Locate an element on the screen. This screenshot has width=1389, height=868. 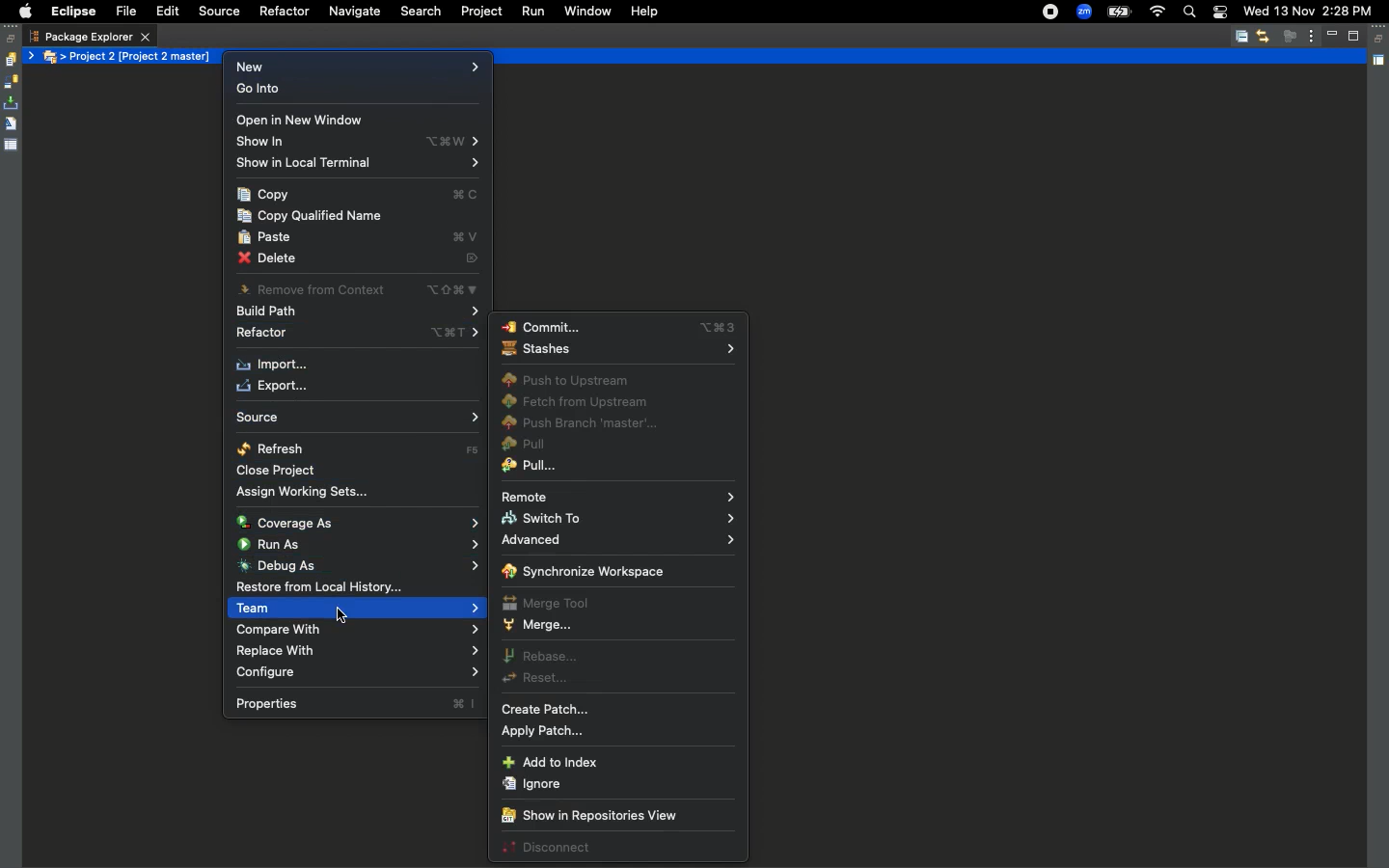
Focus on active task is located at coordinates (1290, 36).